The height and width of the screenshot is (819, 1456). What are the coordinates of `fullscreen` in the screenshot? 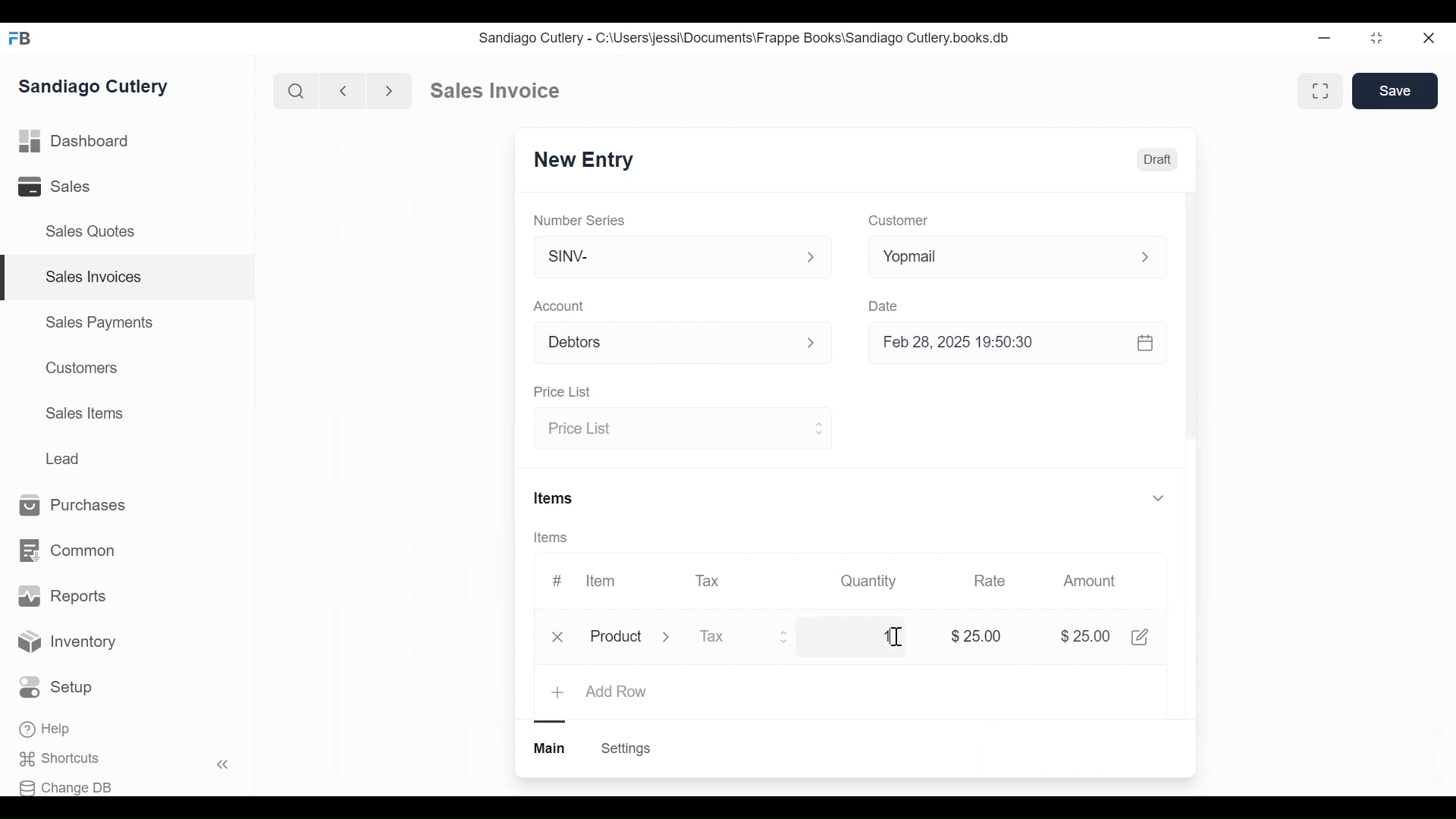 It's located at (1323, 90).